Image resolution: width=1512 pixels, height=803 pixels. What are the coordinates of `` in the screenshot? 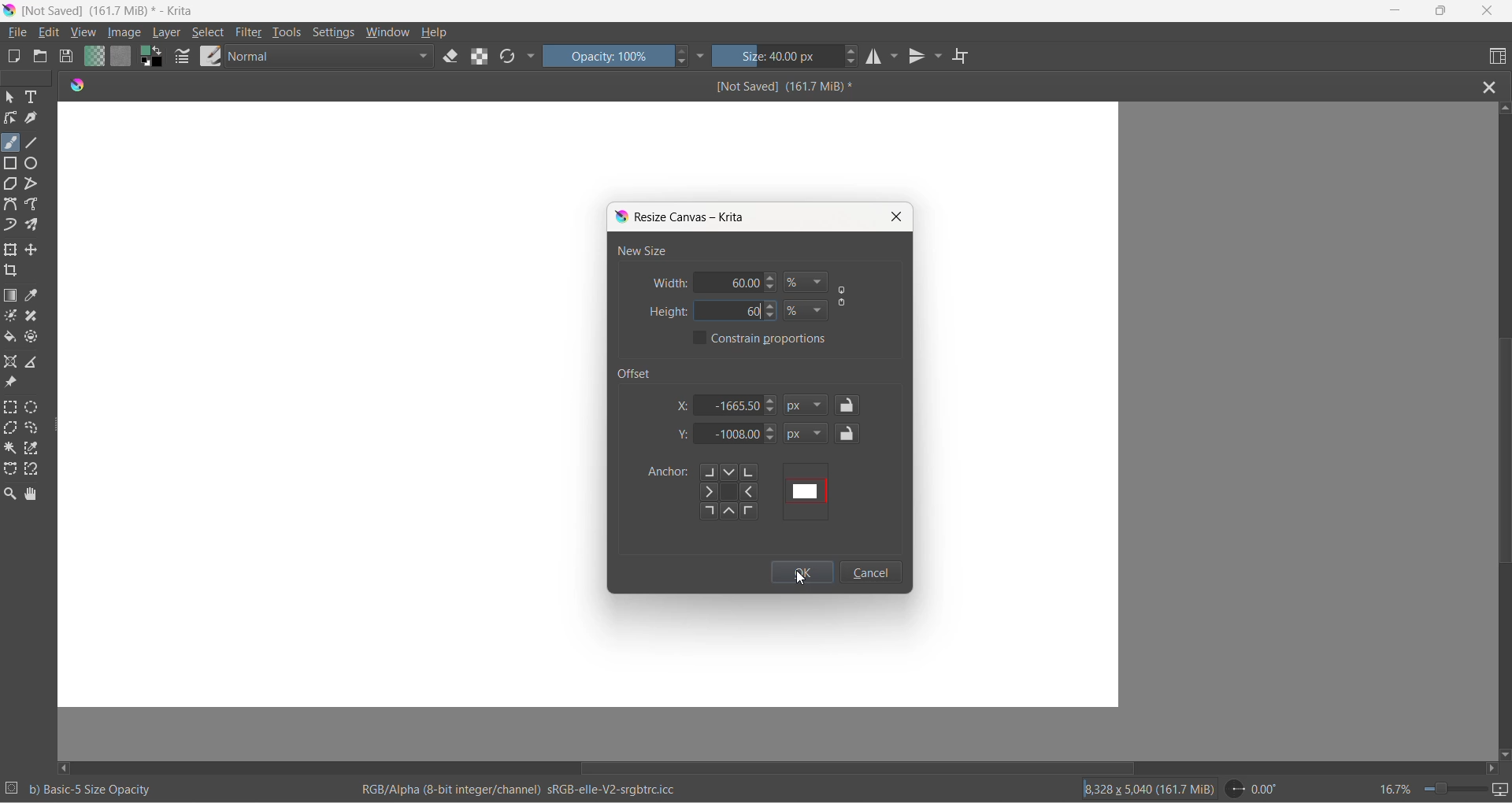 It's located at (771, 400).